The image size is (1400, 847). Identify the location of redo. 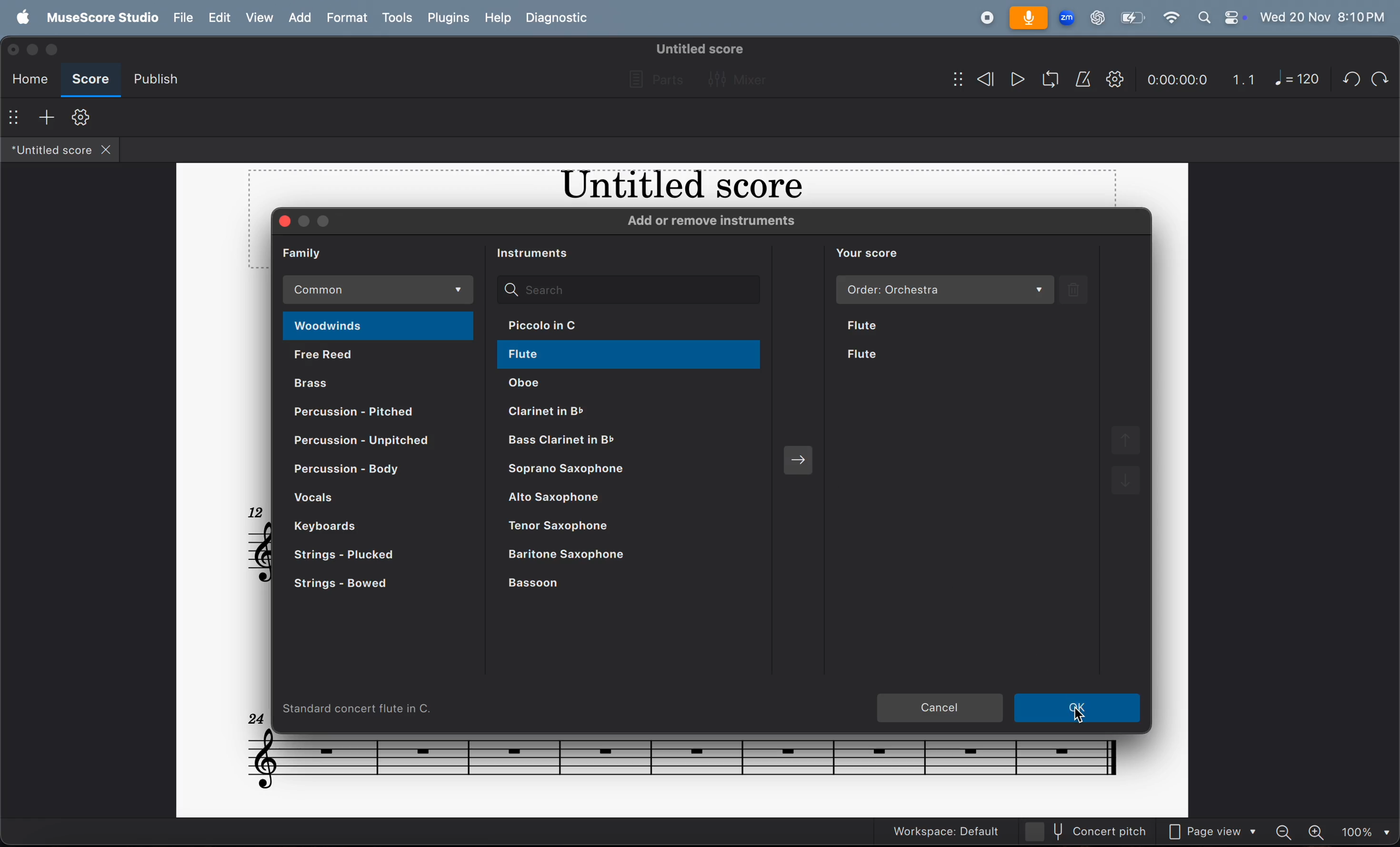
(1384, 81).